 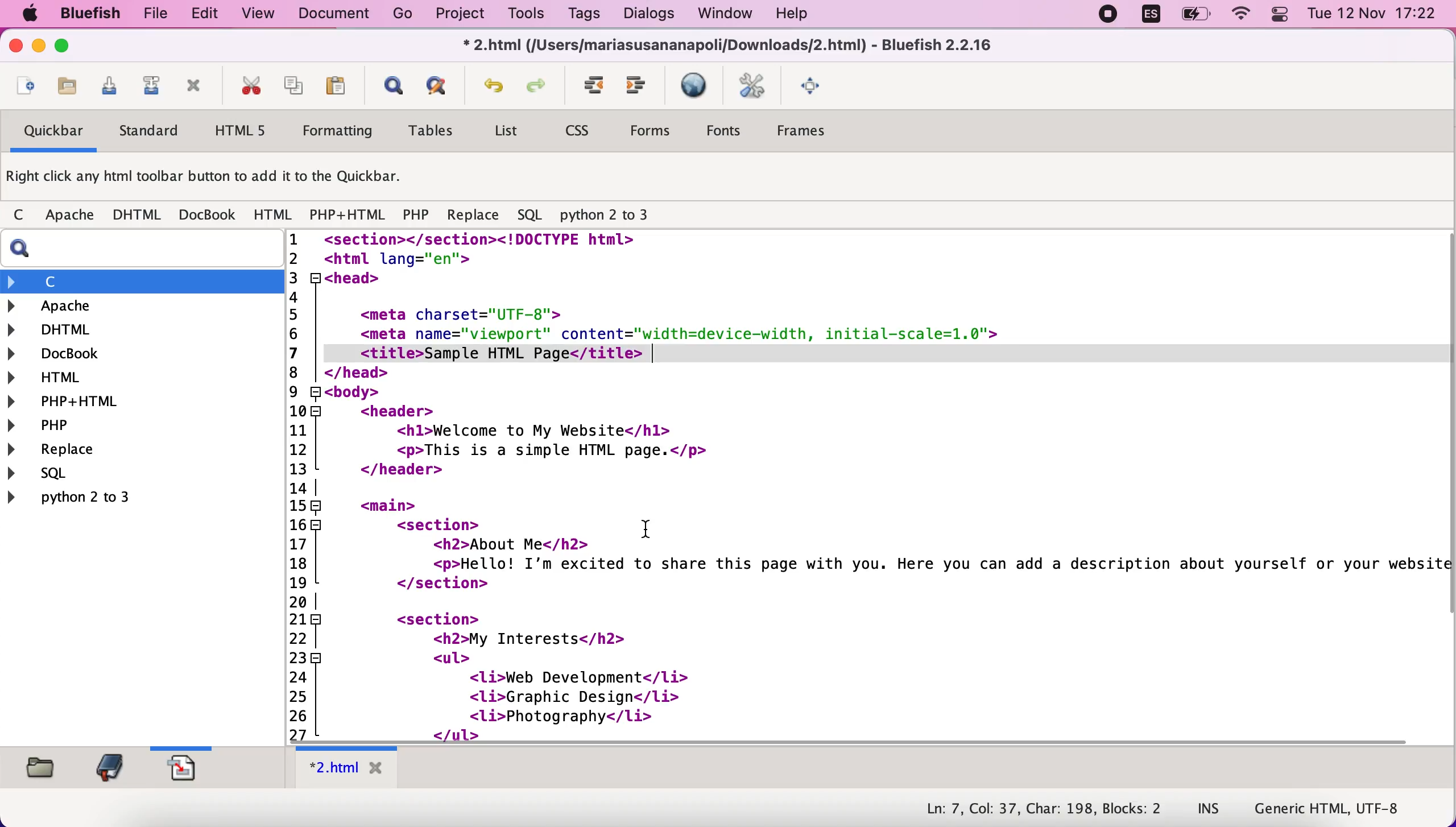 What do you see at coordinates (530, 213) in the screenshot?
I see `sql` at bounding box center [530, 213].